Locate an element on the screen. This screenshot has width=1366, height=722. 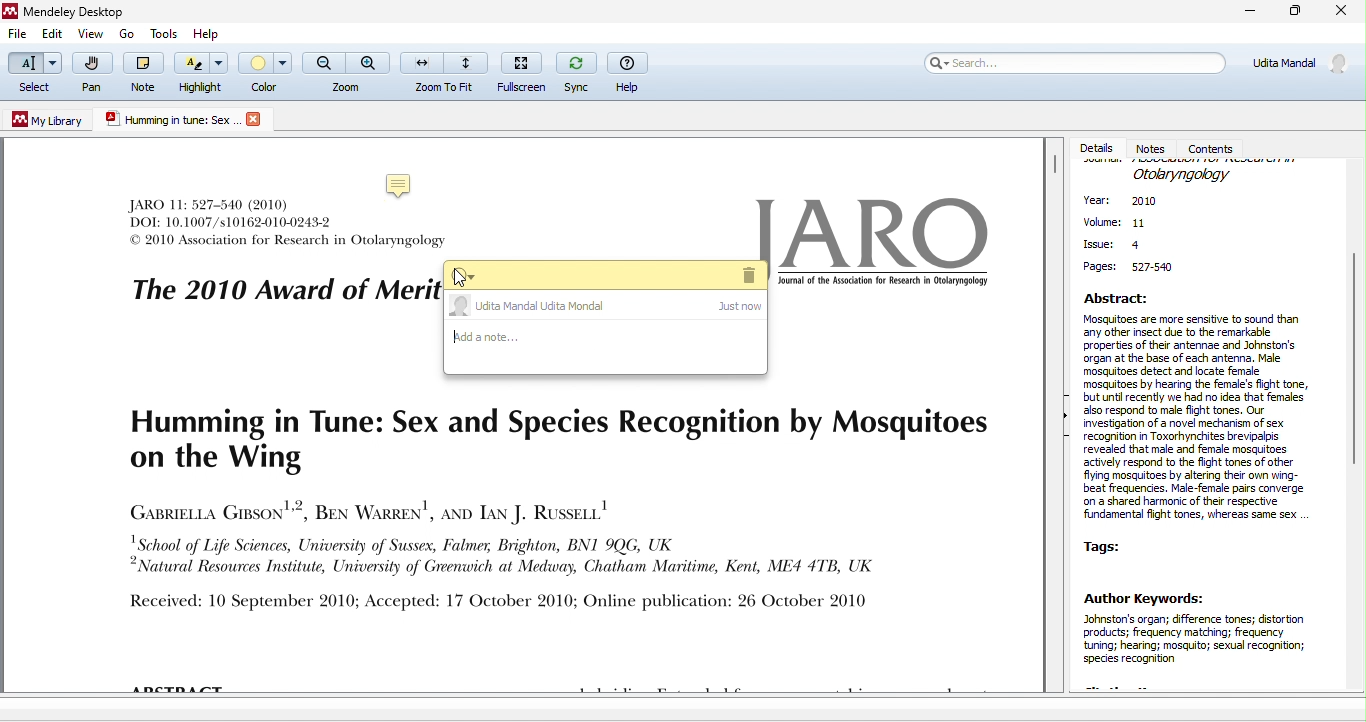
volume:11 is located at coordinates (1115, 224).